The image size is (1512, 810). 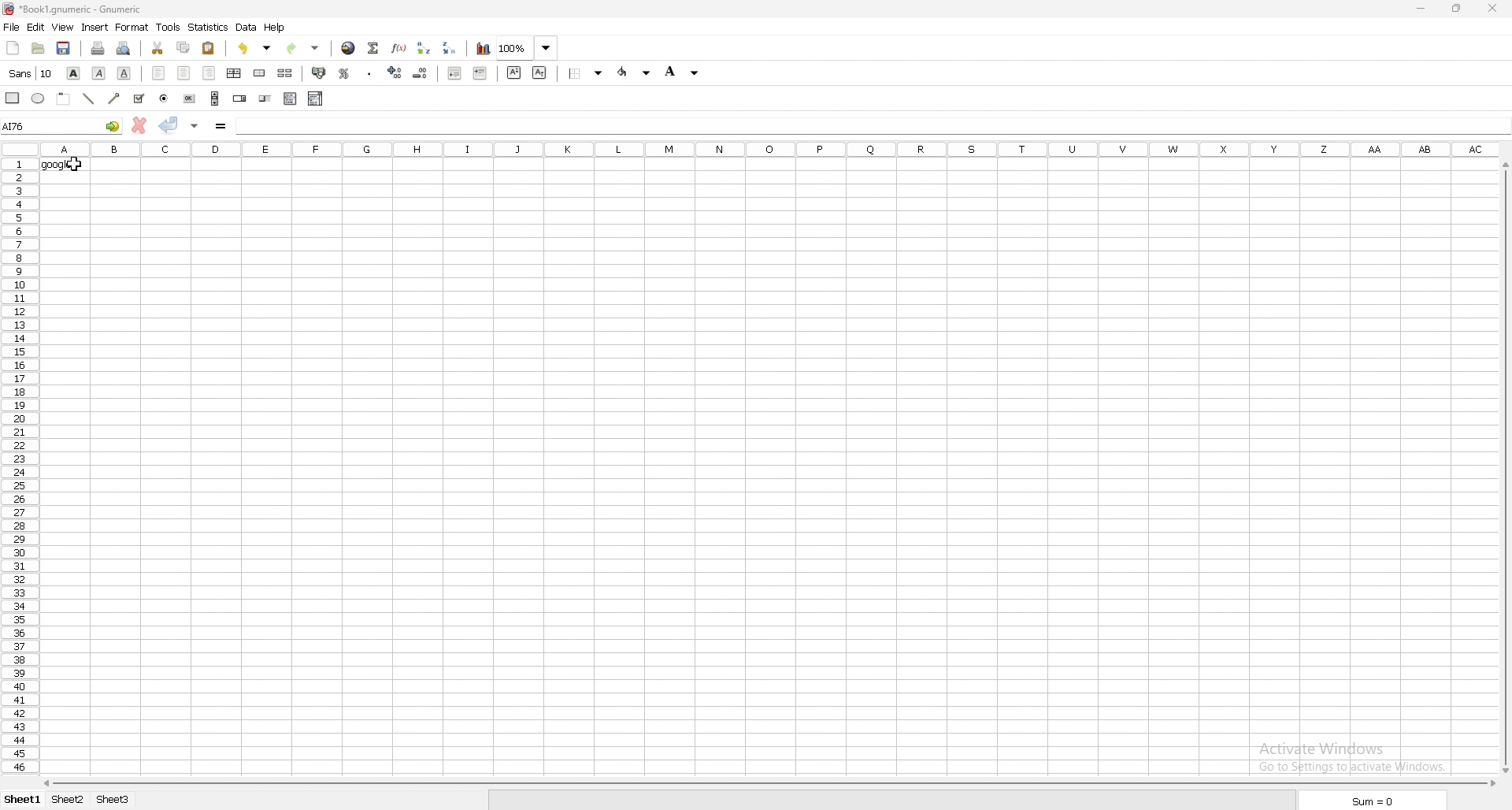 What do you see at coordinates (304, 48) in the screenshot?
I see `redo` at bounding box center [304, 48].